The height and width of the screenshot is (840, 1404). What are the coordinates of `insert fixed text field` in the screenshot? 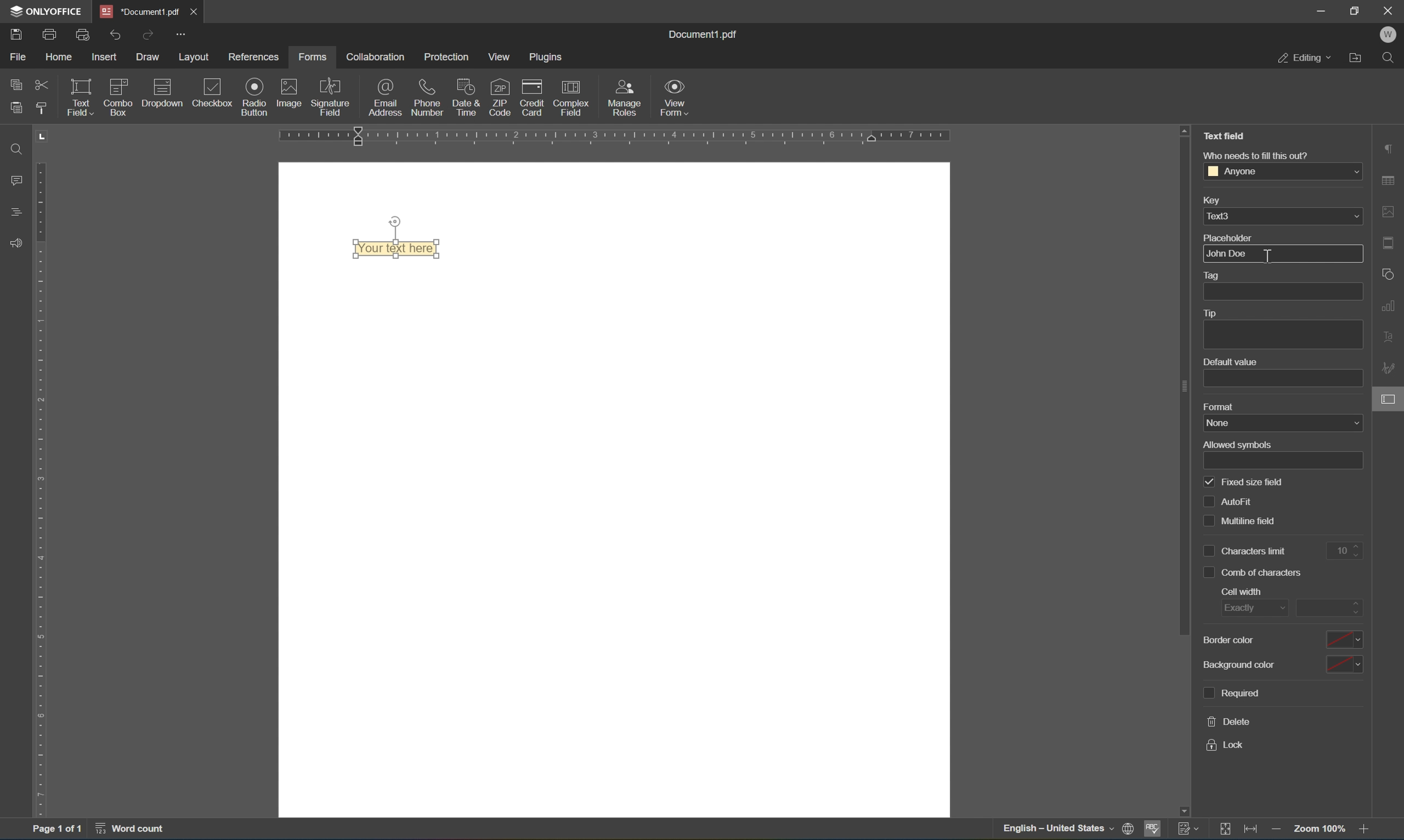 It's located at (143, 113).